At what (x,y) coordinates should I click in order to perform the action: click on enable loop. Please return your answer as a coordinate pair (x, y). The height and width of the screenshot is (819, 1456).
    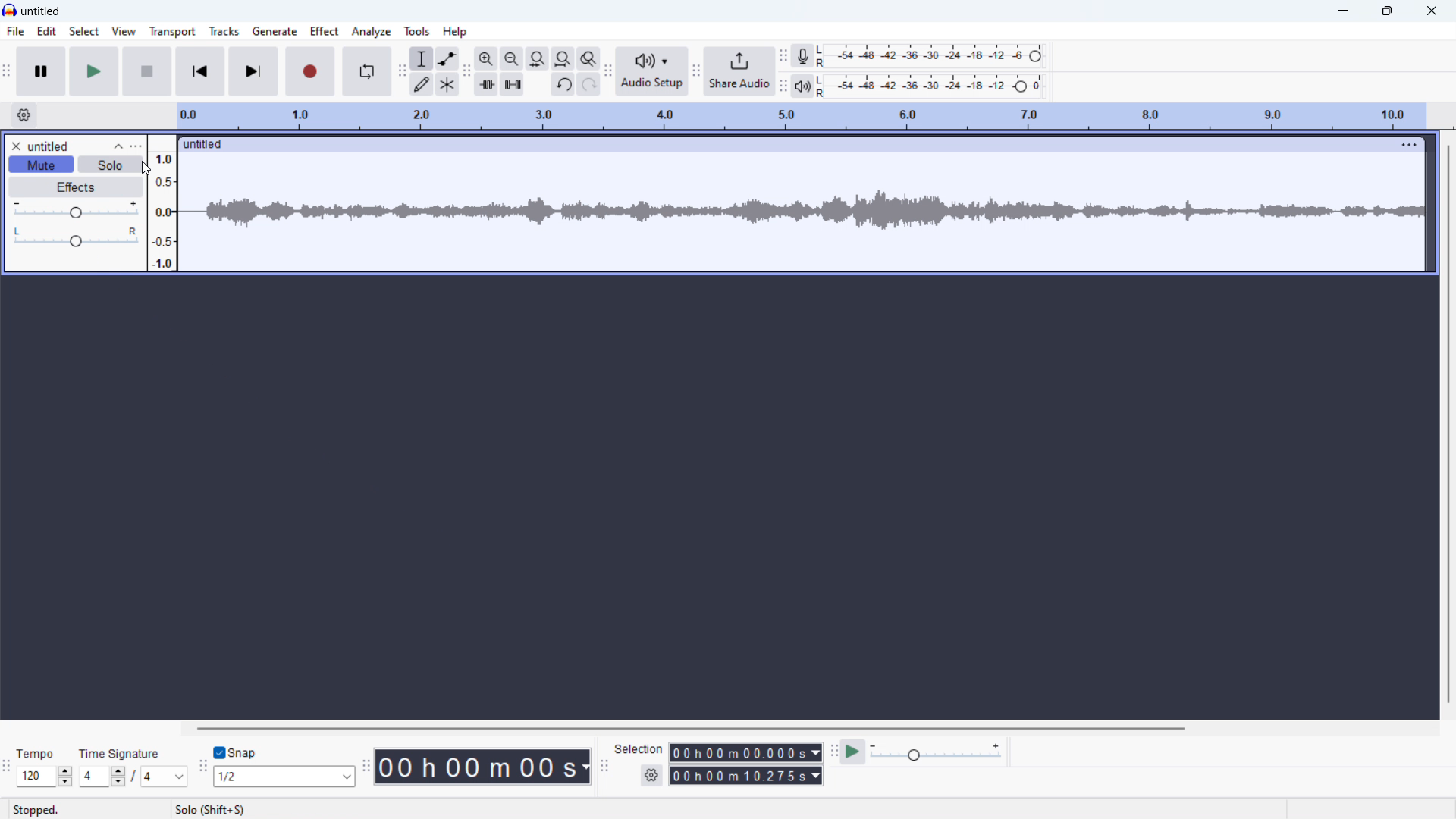
    Looking at the image, I should click on (366, 71).